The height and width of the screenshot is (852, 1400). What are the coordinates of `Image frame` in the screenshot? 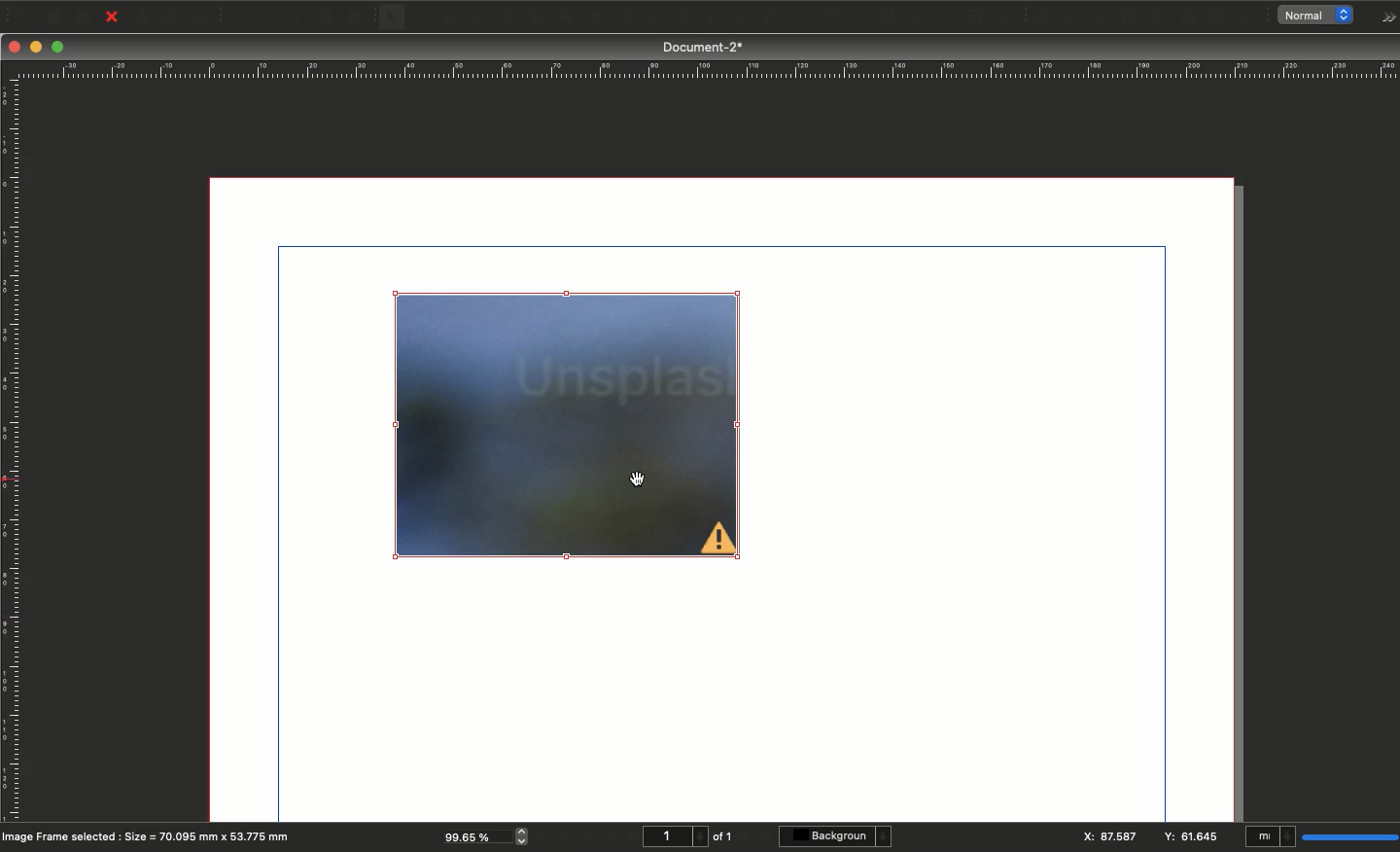 It's located at (453, 19).